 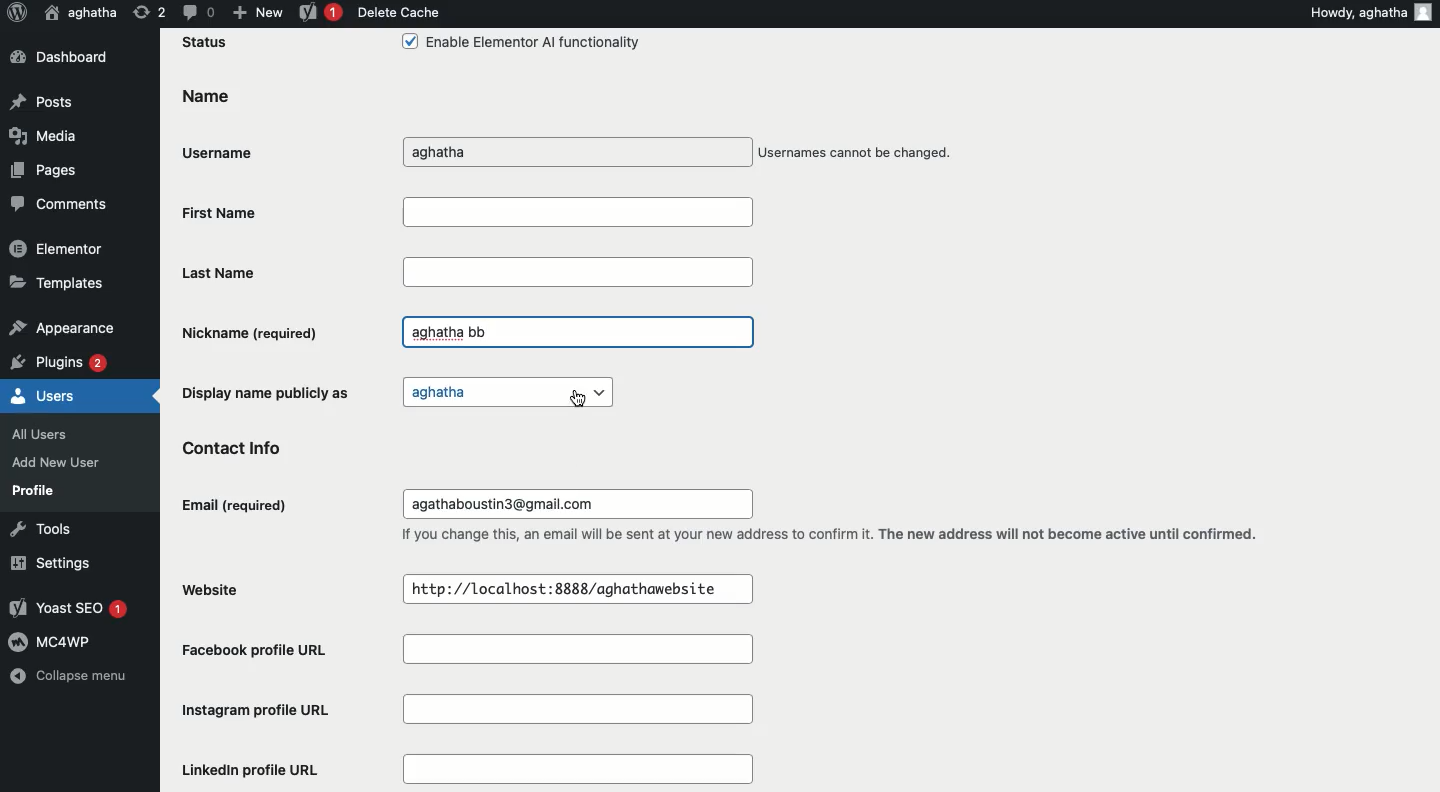 I want to click on User, so click(x=82, y=12).